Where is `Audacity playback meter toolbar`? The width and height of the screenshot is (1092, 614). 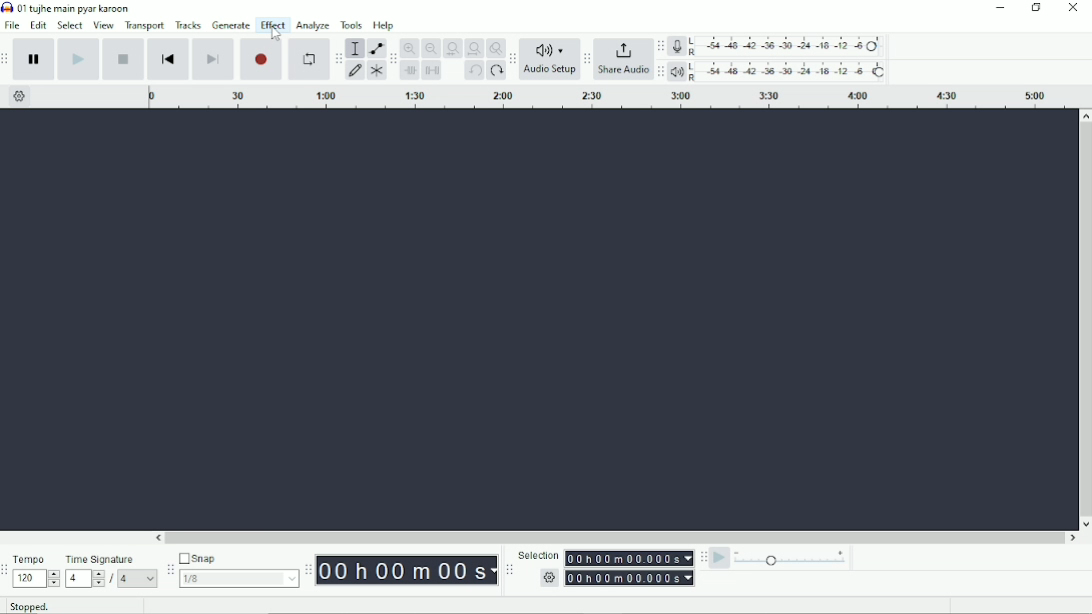
Audacity playback meter toolbar is located at coordinates (661, 71).